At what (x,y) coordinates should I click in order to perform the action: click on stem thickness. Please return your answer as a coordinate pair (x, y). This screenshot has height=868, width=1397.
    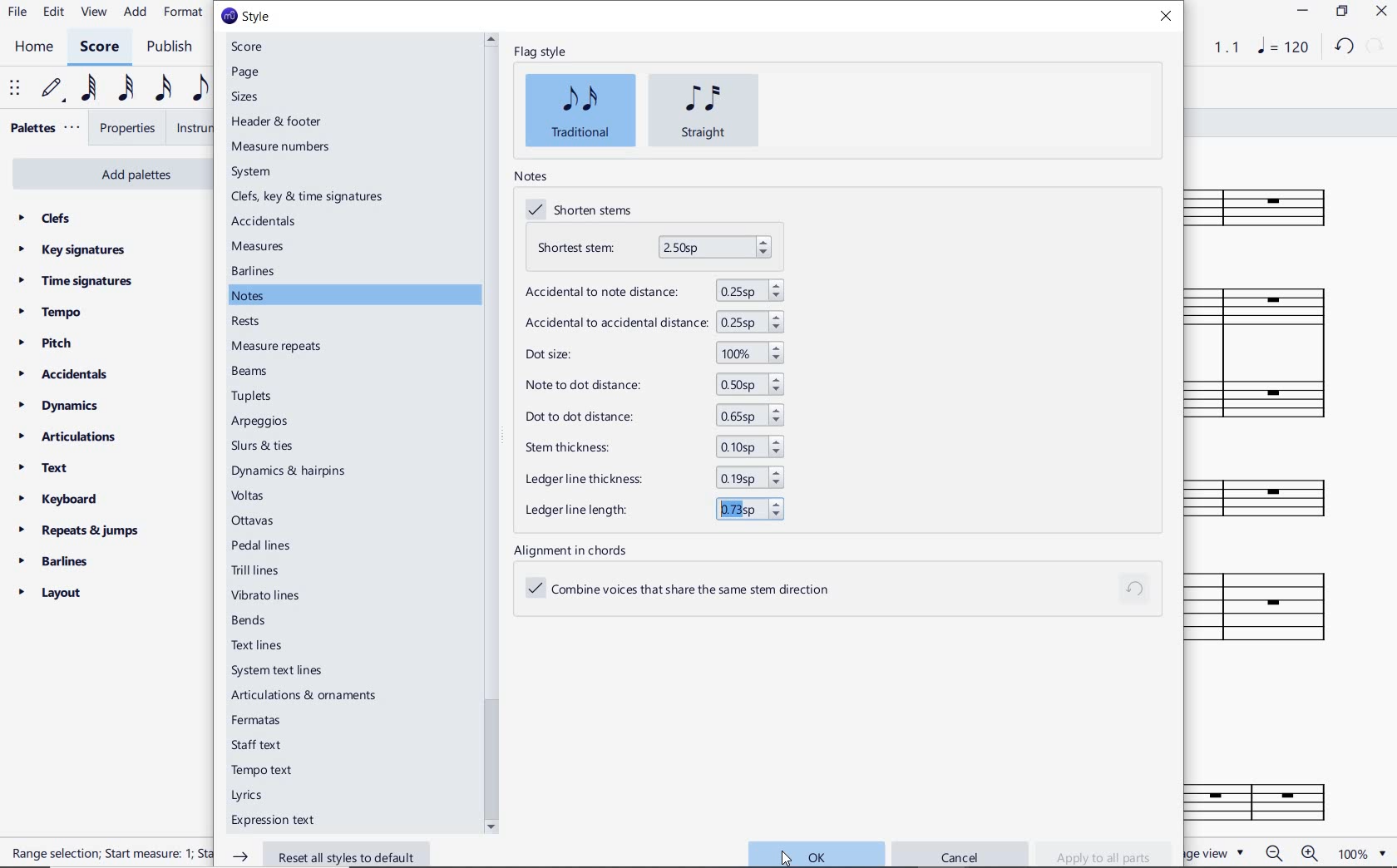
    Looking at the image, I should click on (649, 449).